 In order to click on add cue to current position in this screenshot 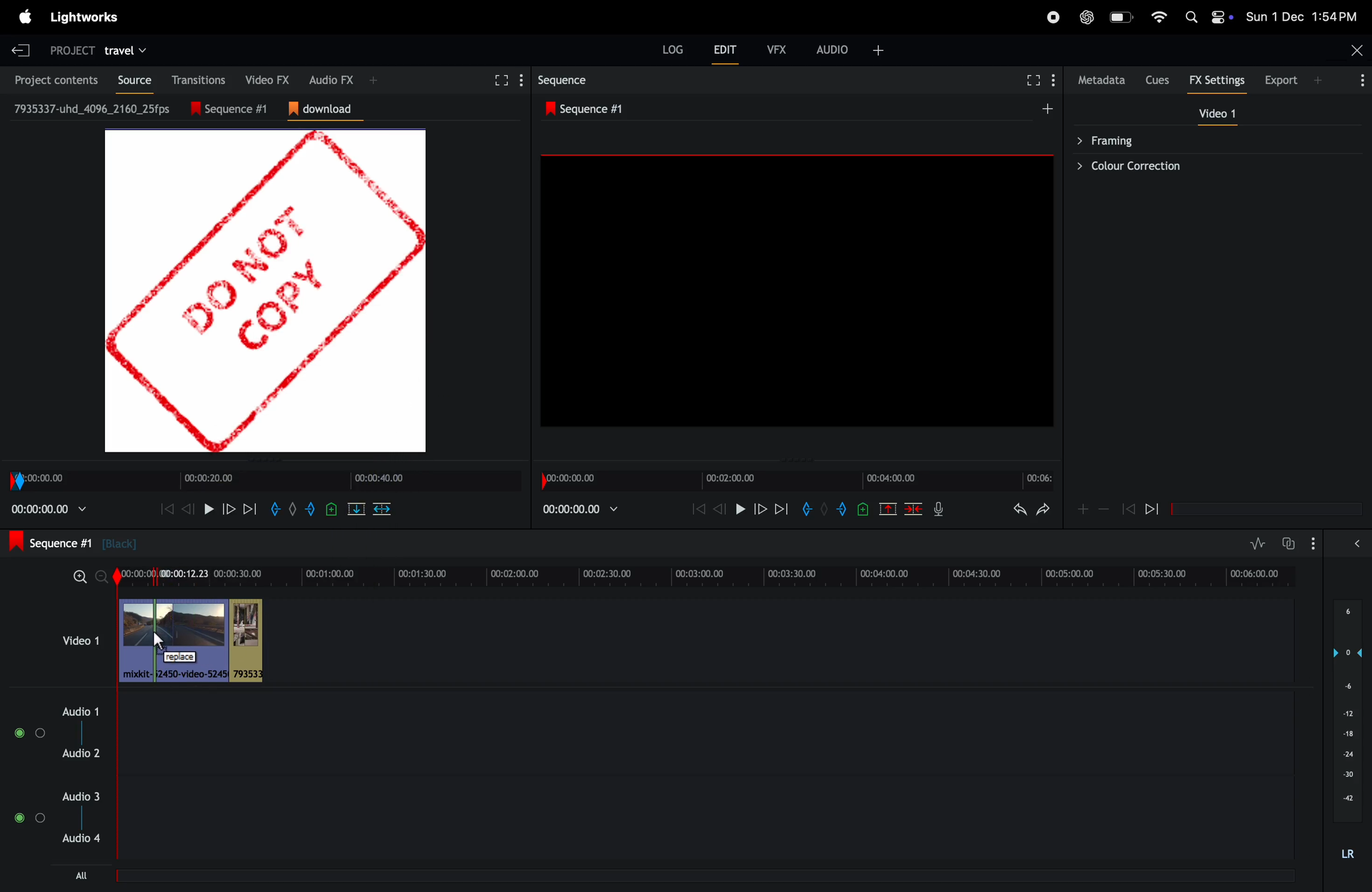, I will do `click(863, 509)`.